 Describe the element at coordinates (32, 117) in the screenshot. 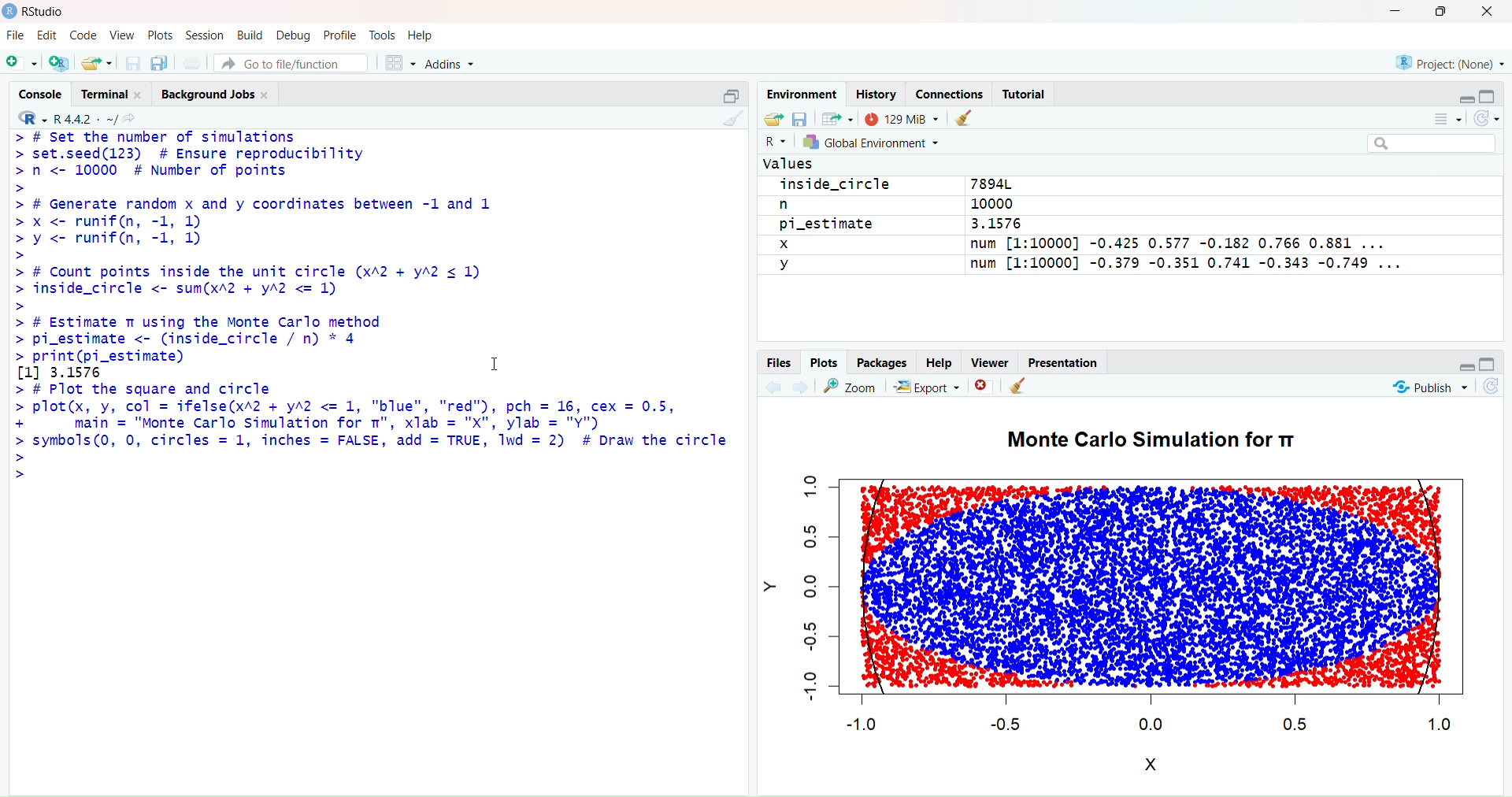

I see `R` at that location.